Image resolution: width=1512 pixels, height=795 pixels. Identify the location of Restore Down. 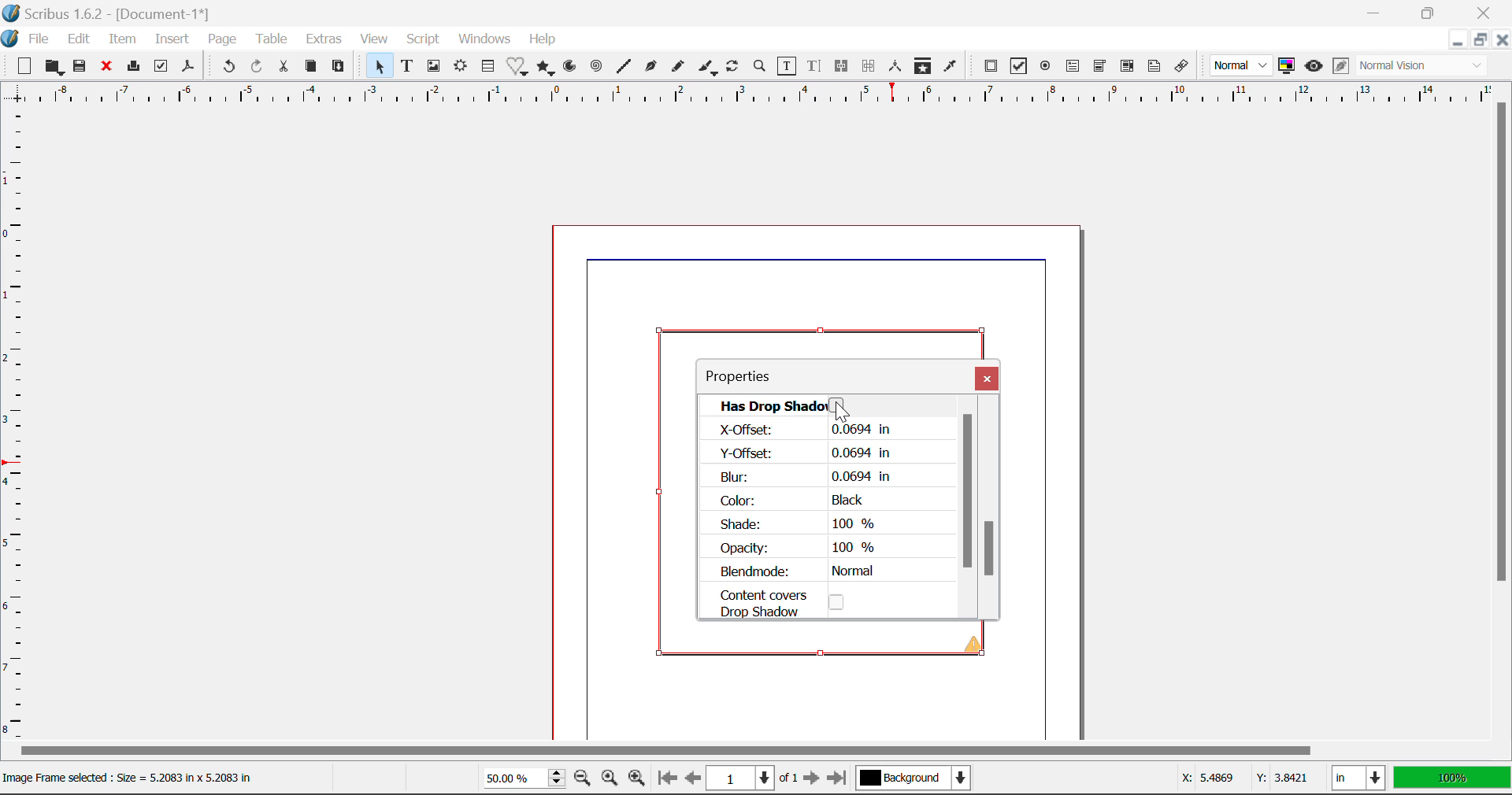
(1455, 42).